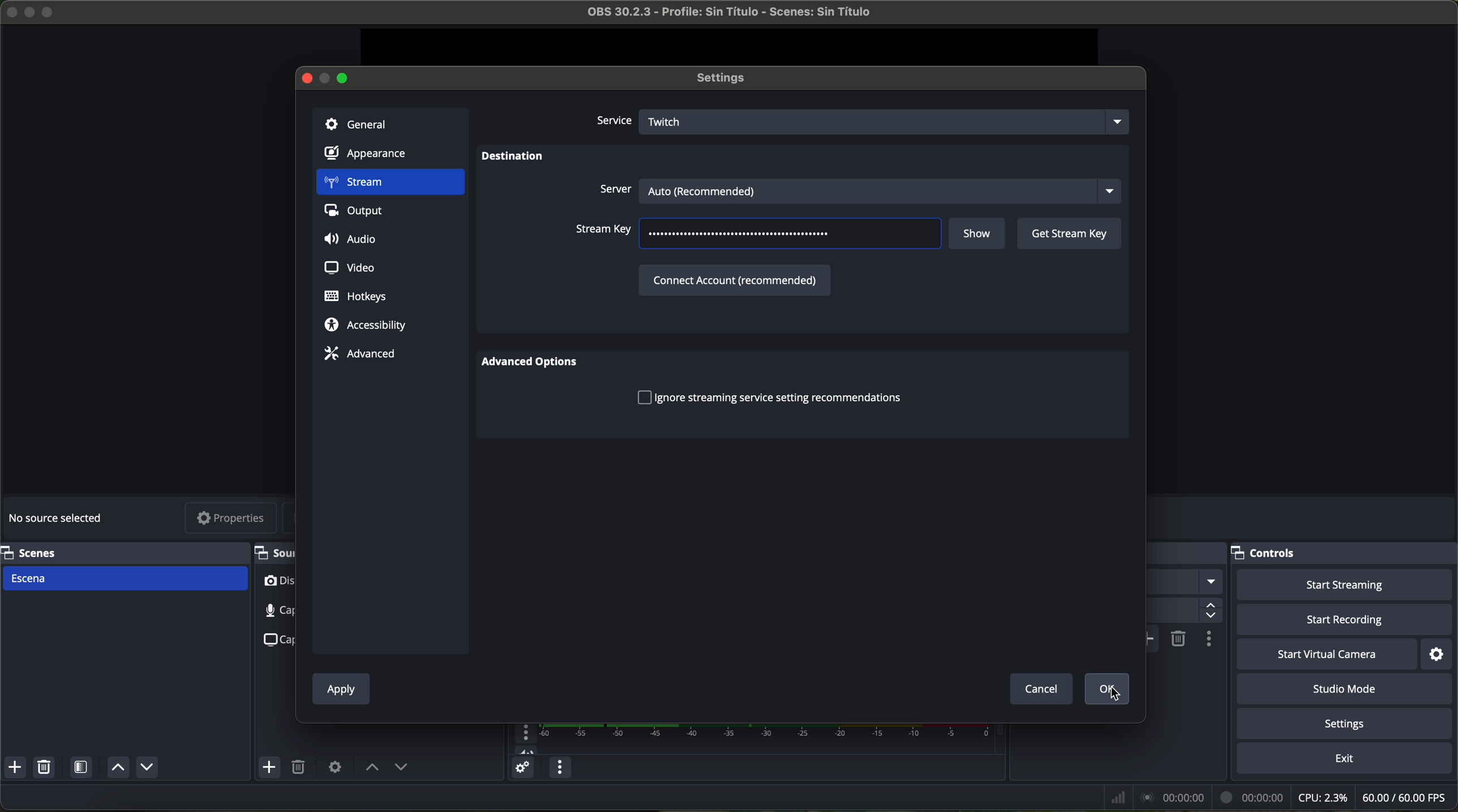  I want to click on start recording, so click(1346, 621).